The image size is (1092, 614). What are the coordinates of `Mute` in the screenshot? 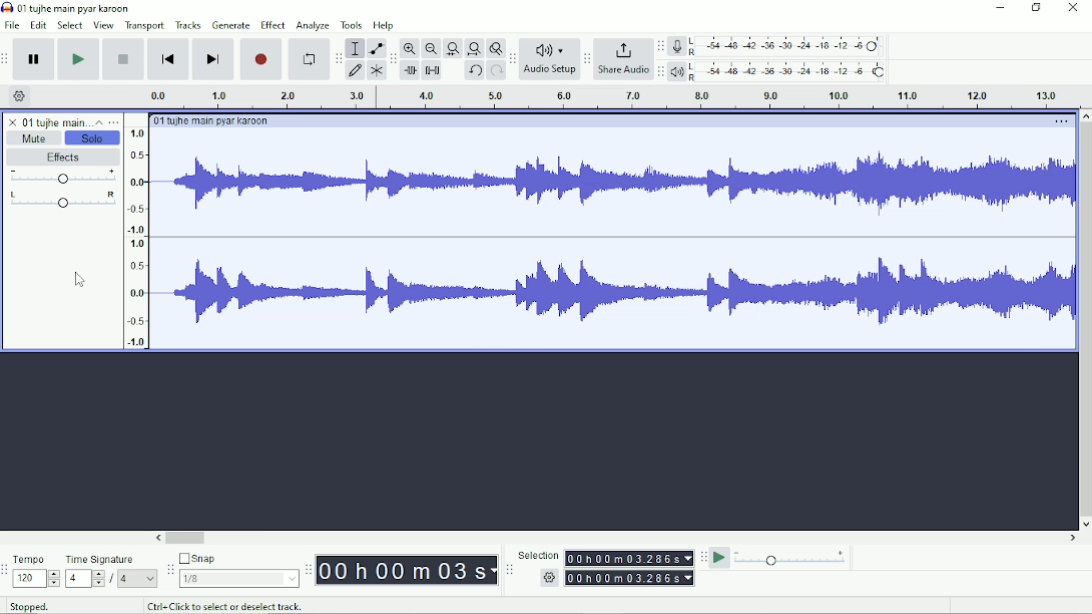 It's located at (32, 138).